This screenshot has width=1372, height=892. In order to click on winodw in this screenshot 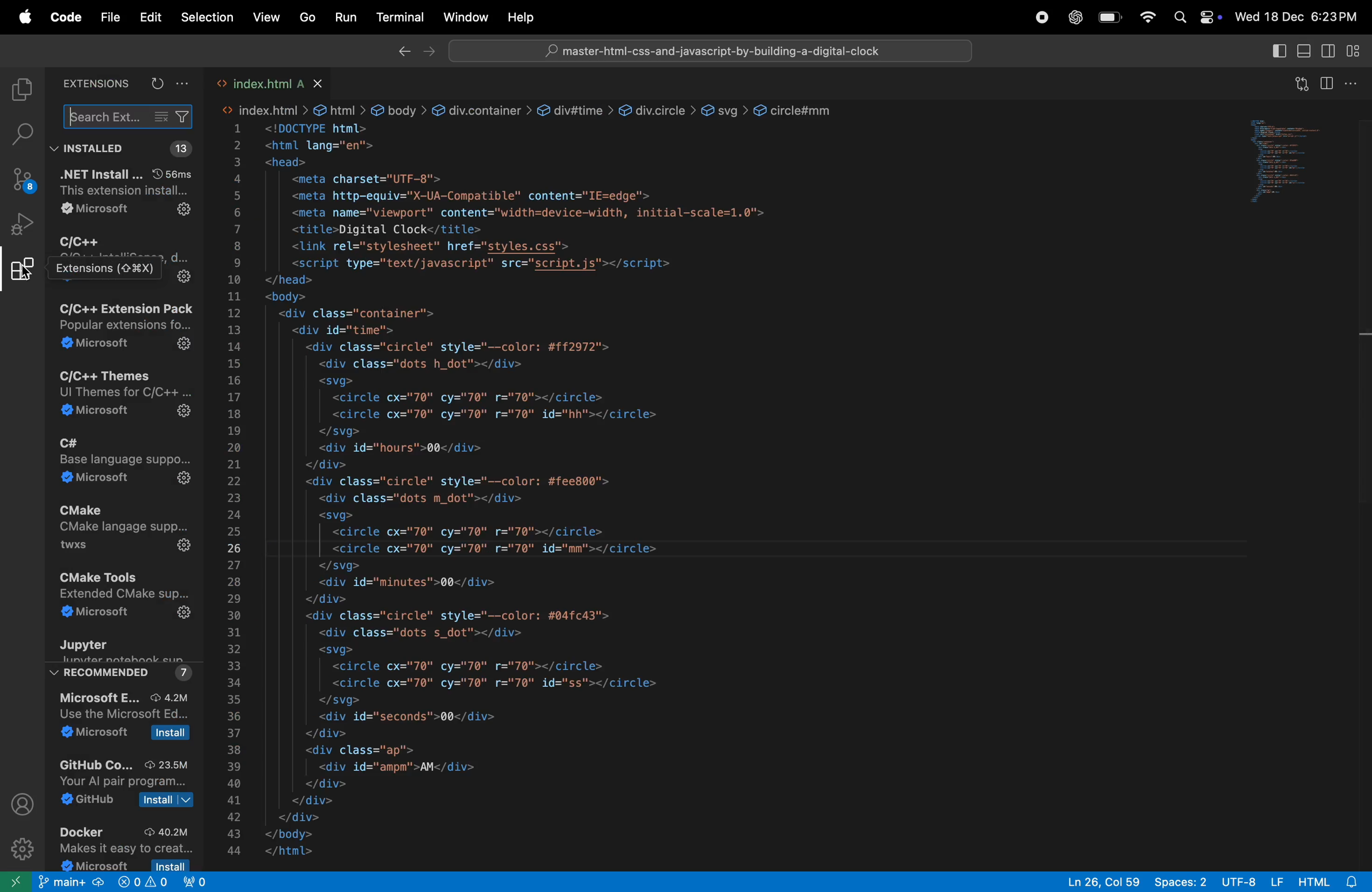, I will do `click(465, 17)`.